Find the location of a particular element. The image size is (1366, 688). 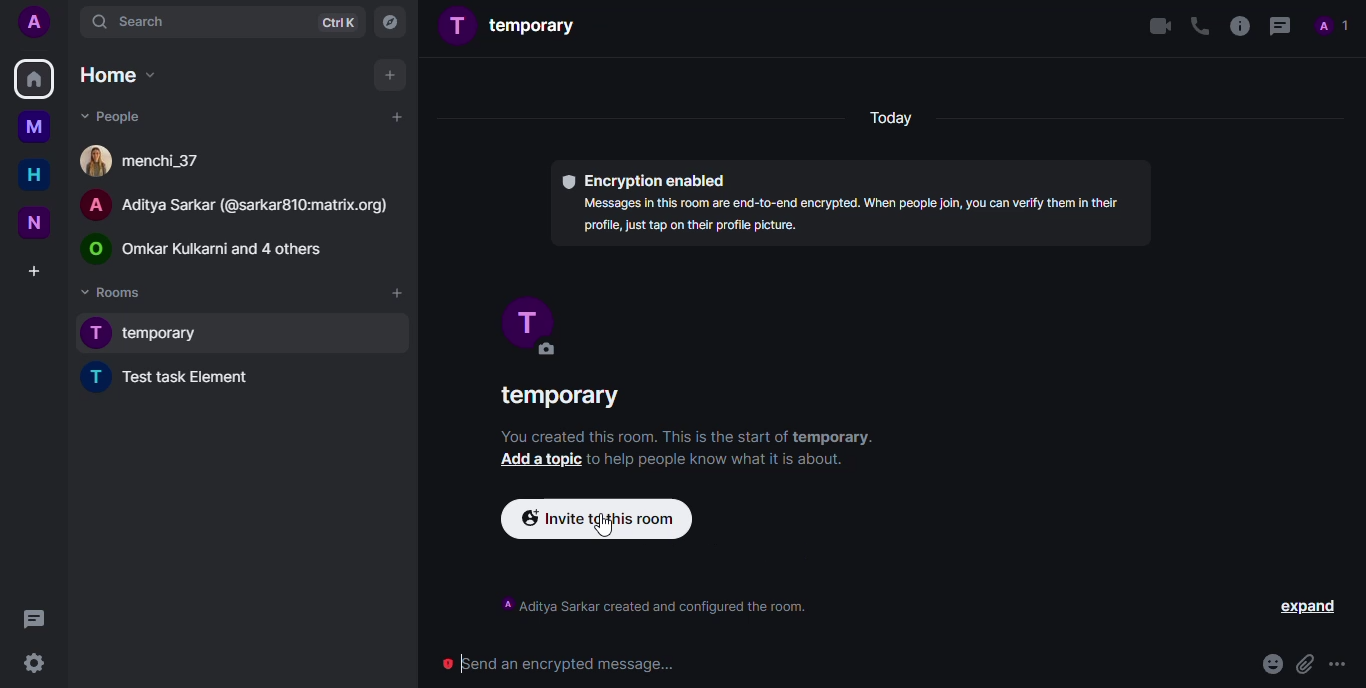

more is located at coordinates (1342, 668).